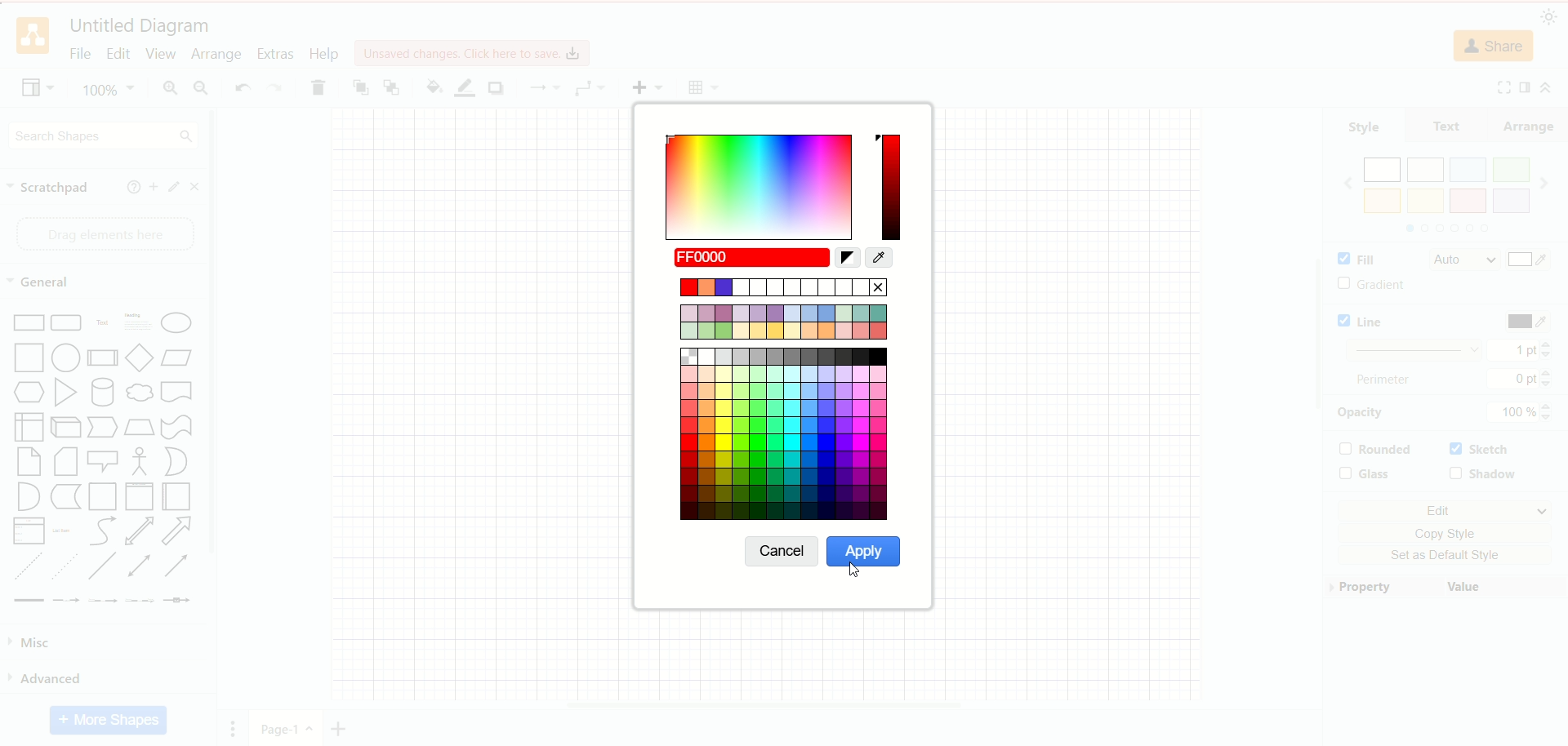 This screenshot has height=746, width=1568. I want to click on cursor, so click(857, 569).